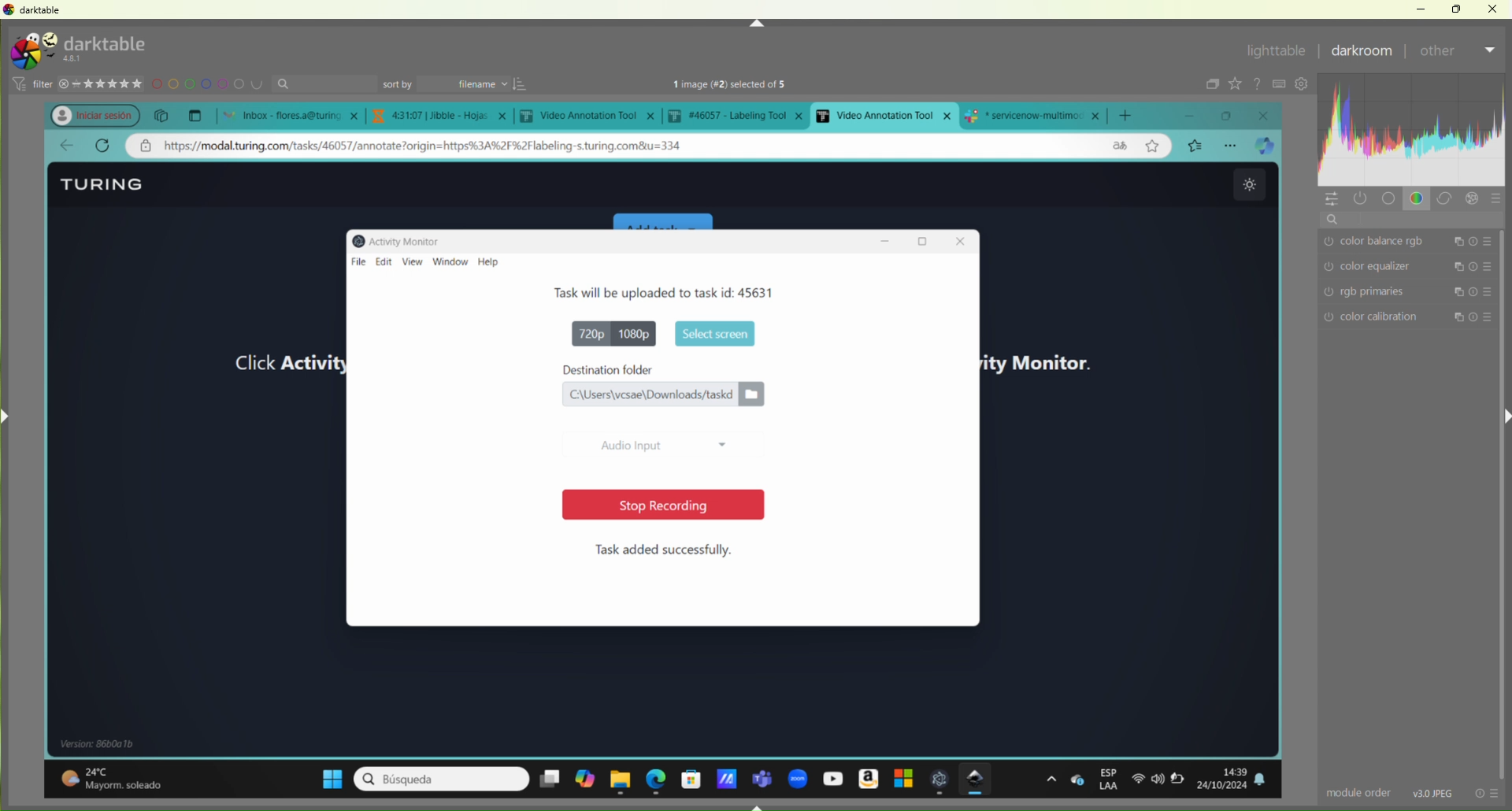 Image resolution: width=1512 pixels, height=811 pixels. Describe the element at coordinates (940, 780) in the screenshot. I see `open appliction` at that location.